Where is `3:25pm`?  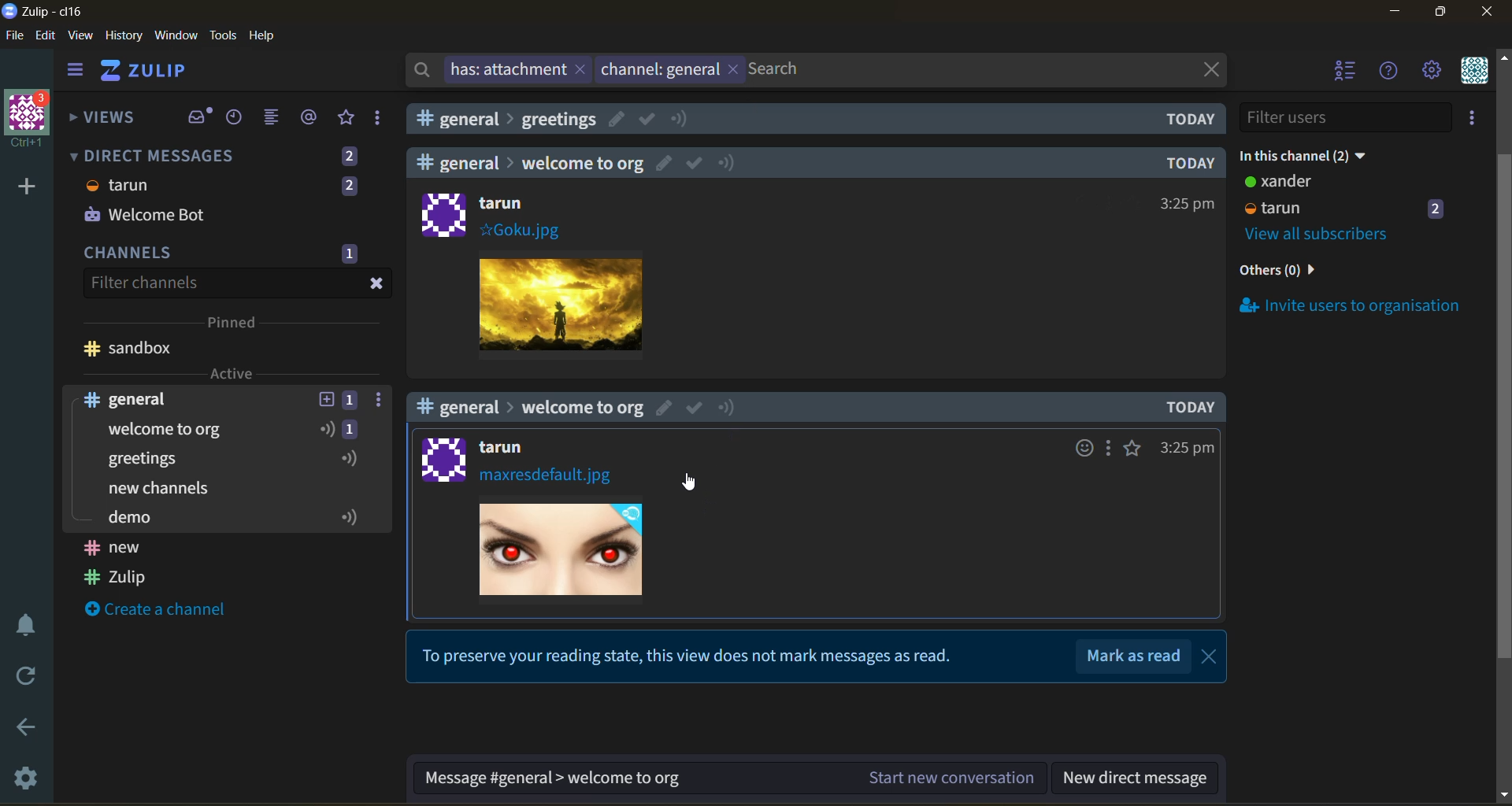 3:25pm is located at coordinates (1185, 446).